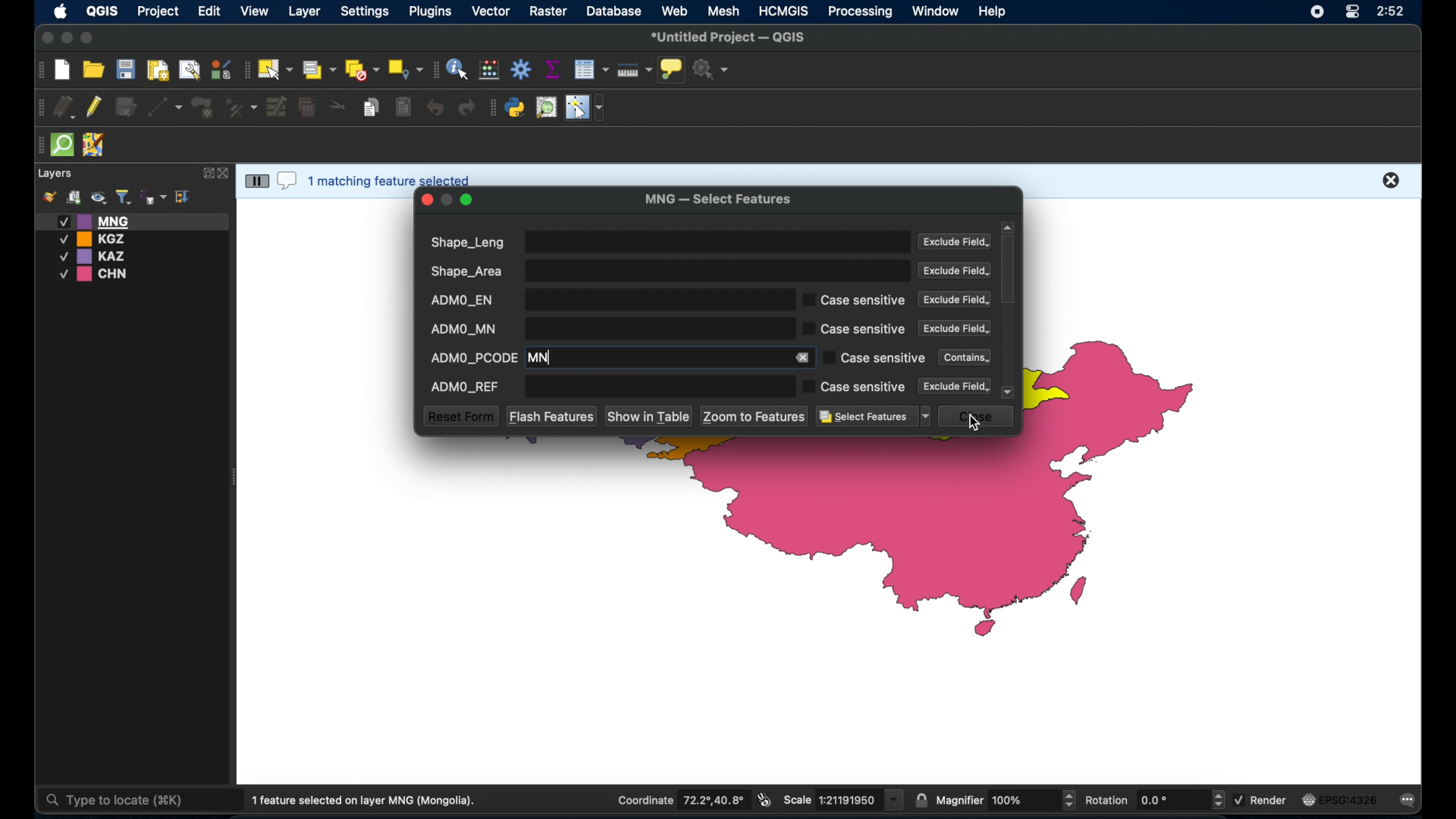  Describe the element at coordinates (287, 182) in the screenshot. I see `comments` at that location.